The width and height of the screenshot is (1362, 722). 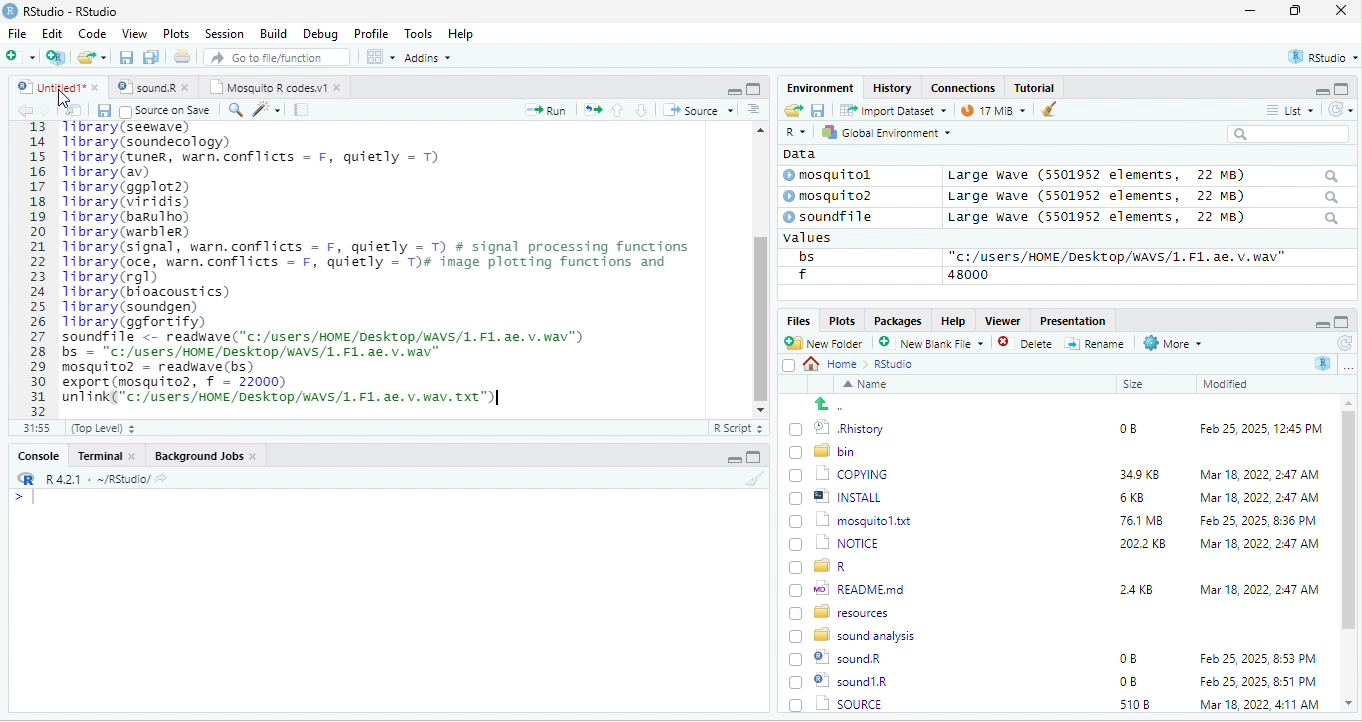 I want to click on line number, so click(x=40, y=268).